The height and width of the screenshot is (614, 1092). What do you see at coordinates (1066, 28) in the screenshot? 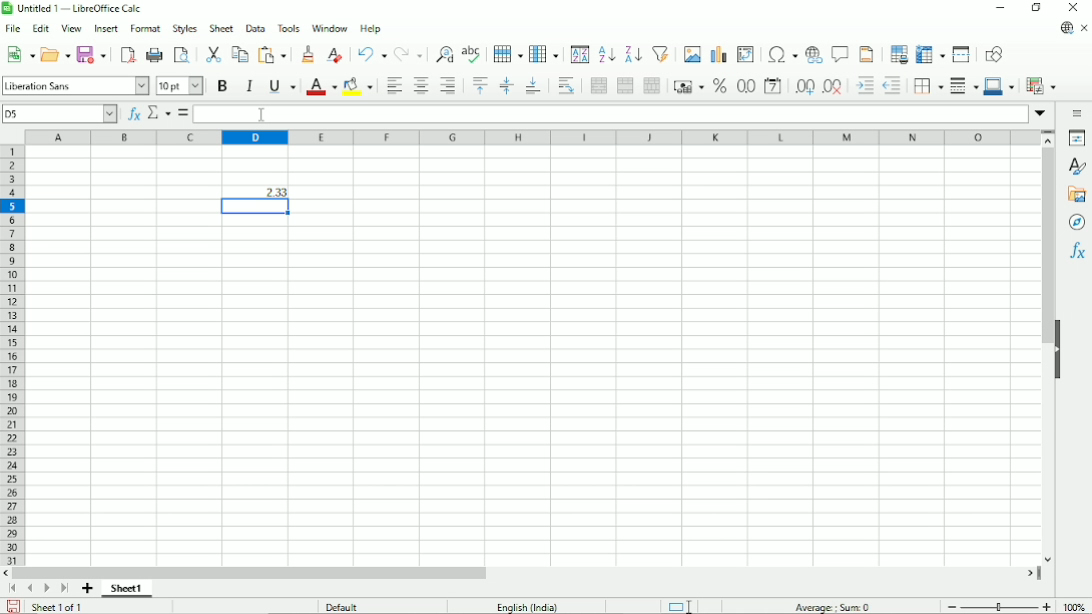
I see `Update available ` at bounding box center [1066, 28].